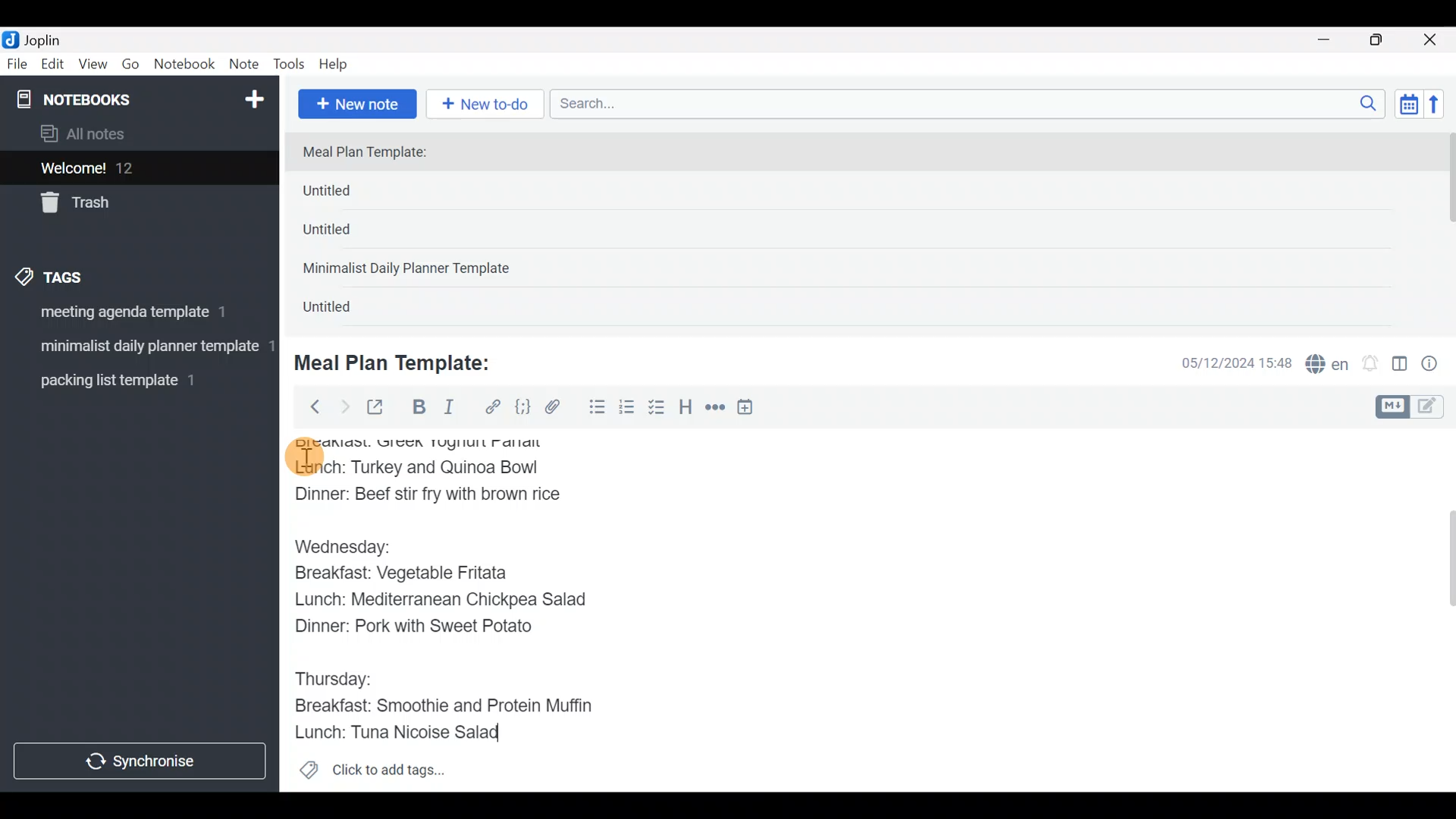 This screenshot has height=819, width=1456. What do you see at coordinates (1371, 365) in the screenshot?
I see `Set alarm` at bounding box center [1371, 365].